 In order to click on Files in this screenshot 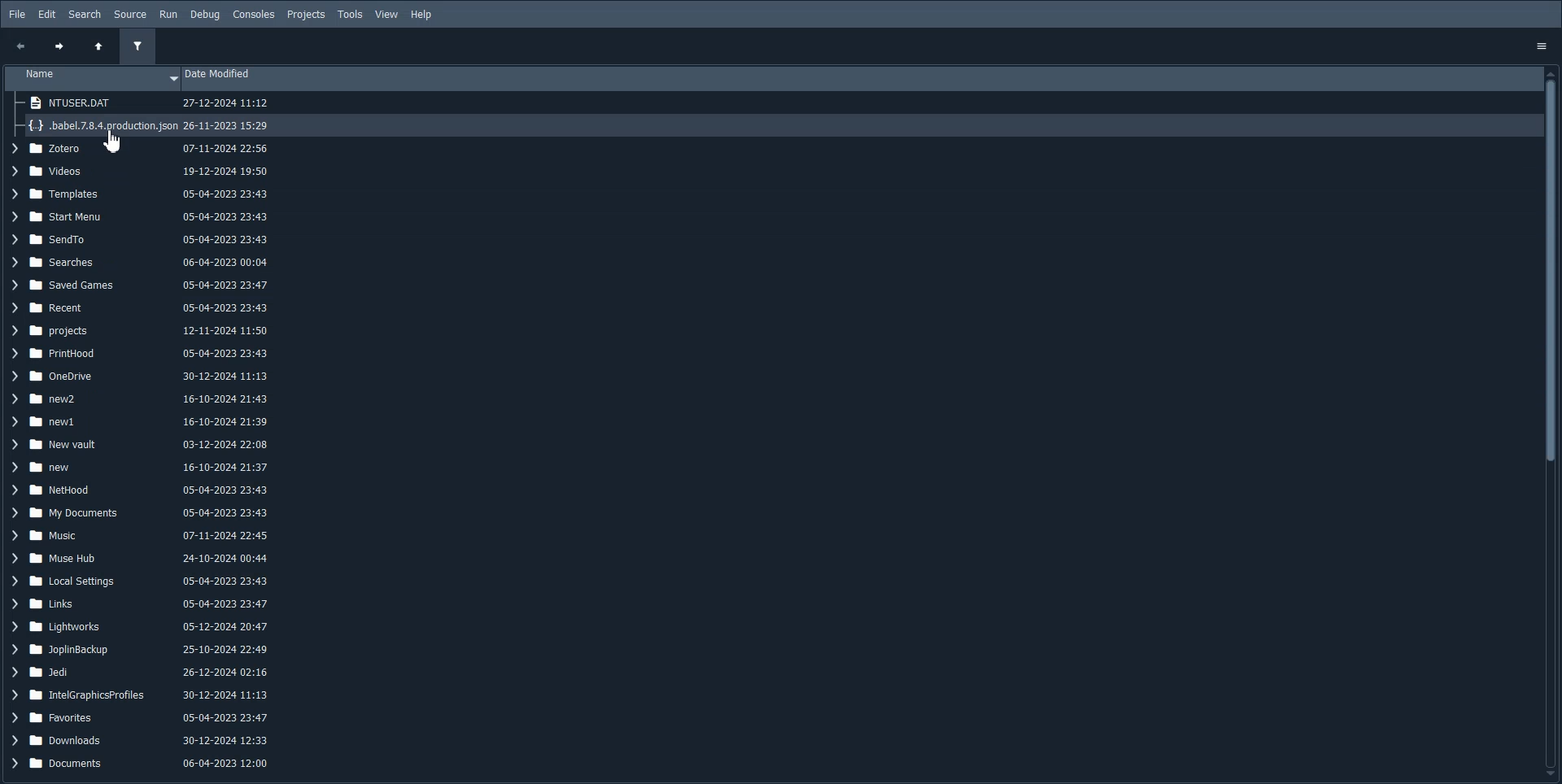, I will do `click(145, 462)`.